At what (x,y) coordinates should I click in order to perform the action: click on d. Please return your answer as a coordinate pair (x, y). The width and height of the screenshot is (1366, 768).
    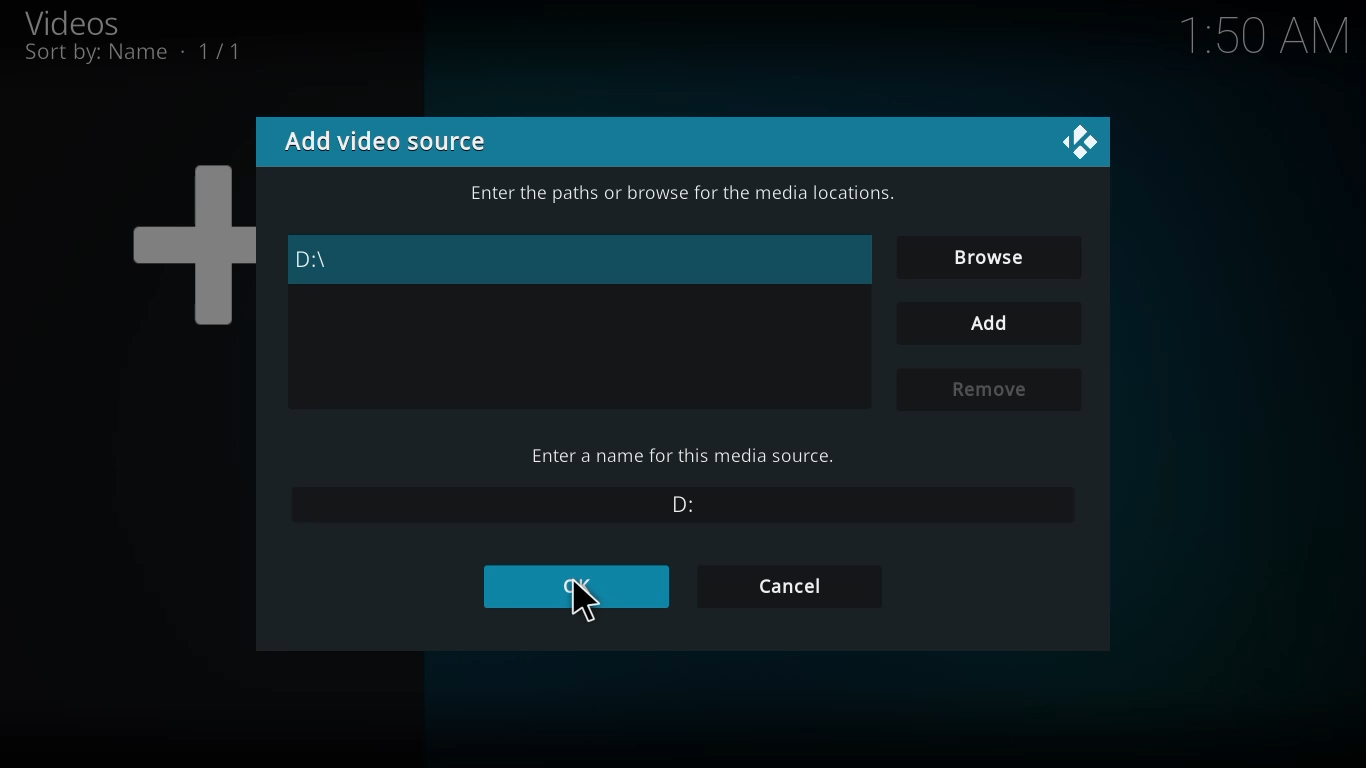
    Looking at the image, I should click on (686, 504).